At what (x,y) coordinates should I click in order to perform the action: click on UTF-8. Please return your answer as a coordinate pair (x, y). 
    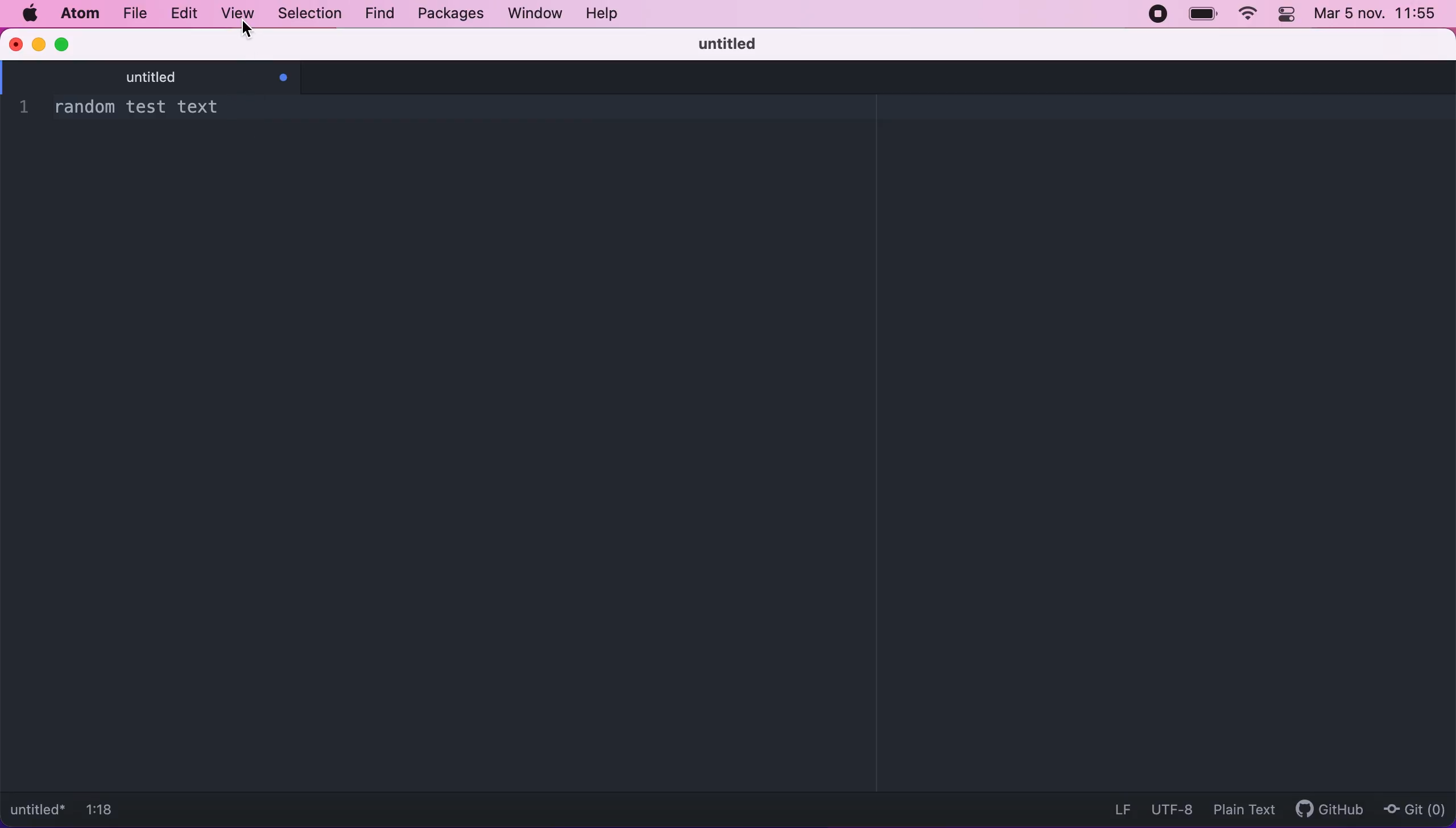
    Looking at the image, I should click on (1173, 809).